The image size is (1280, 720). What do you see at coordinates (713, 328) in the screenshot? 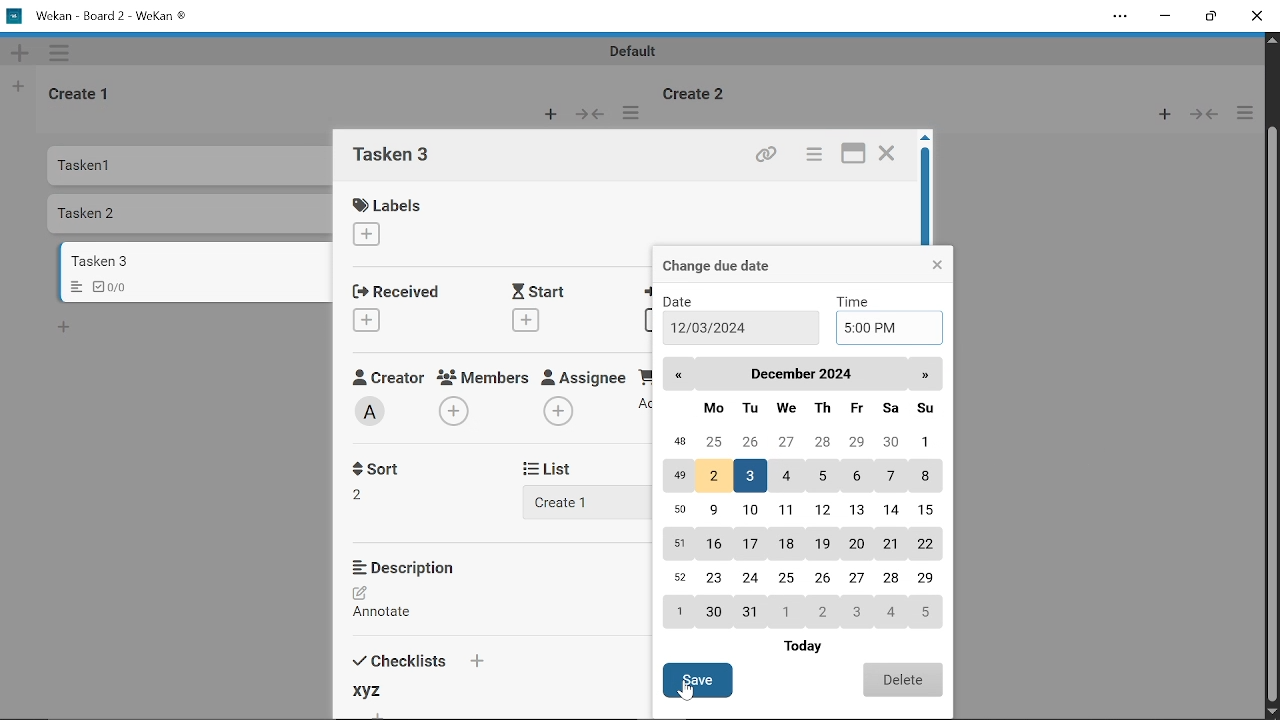
I see `12/03/2024` at bounding box center [713, 328].